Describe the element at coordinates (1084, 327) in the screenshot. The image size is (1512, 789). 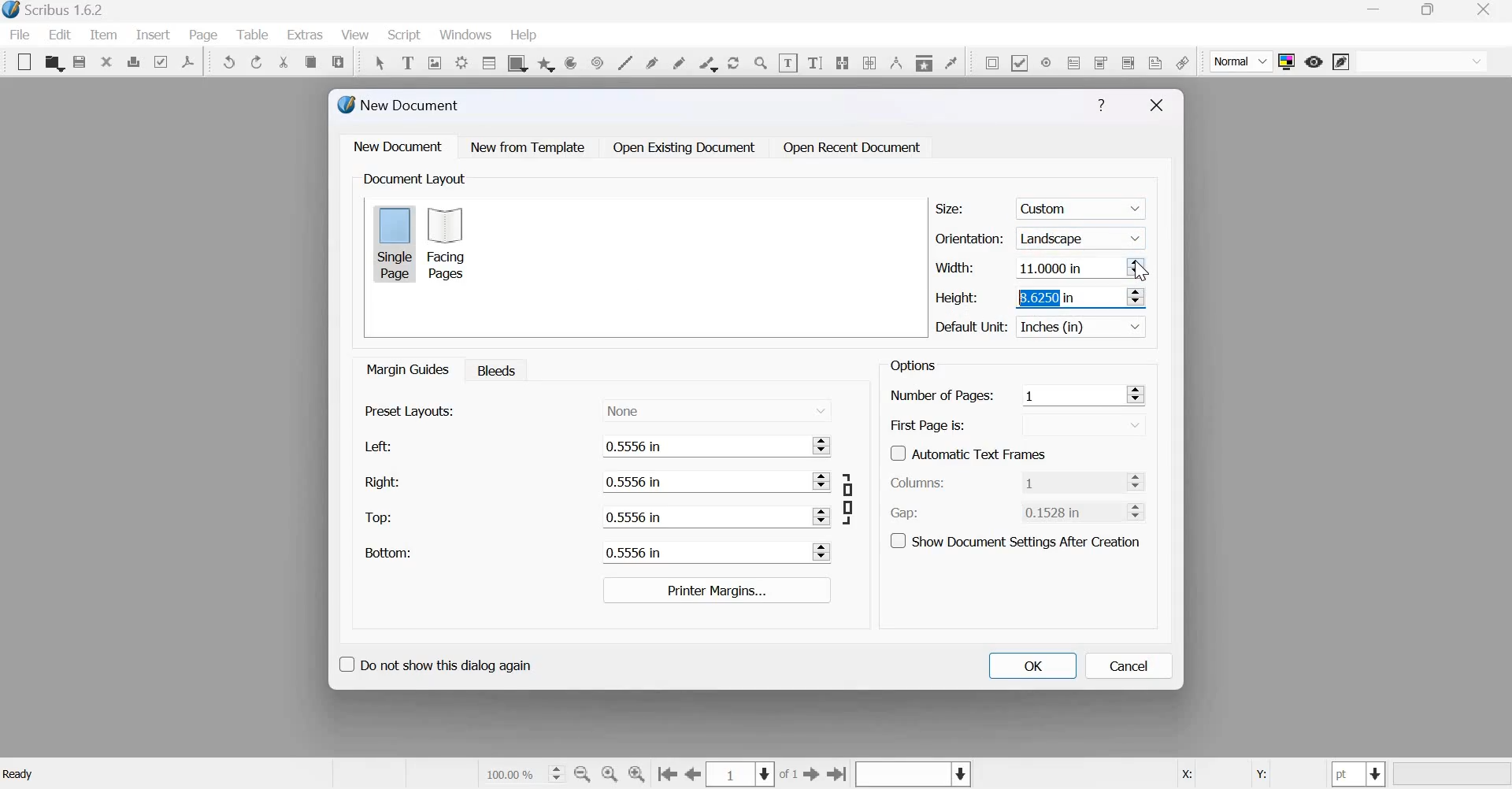
I see `Inches (in)` at that location.